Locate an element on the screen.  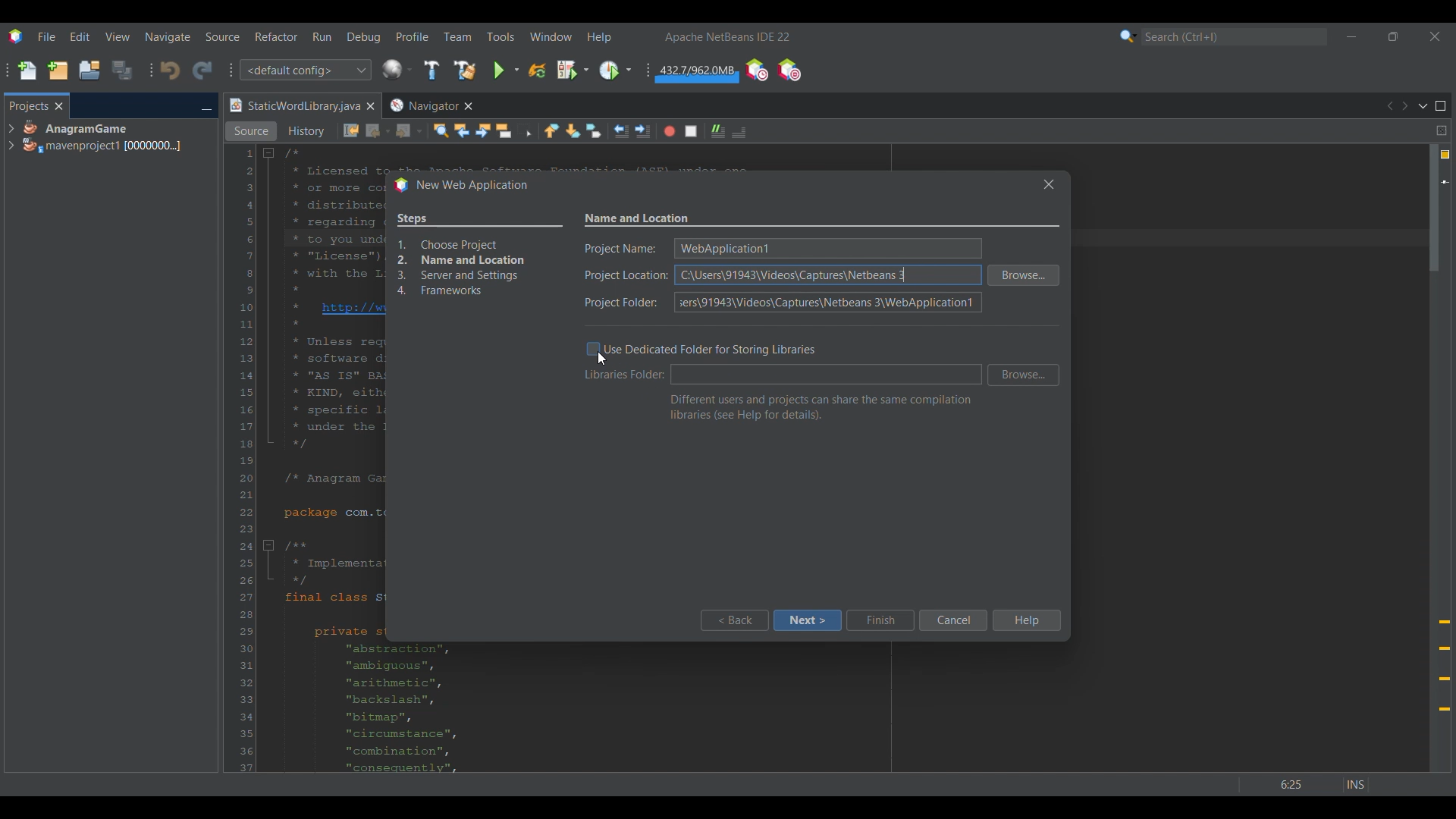
Browse folder for respective detail is located at coordinates (1024, 325).